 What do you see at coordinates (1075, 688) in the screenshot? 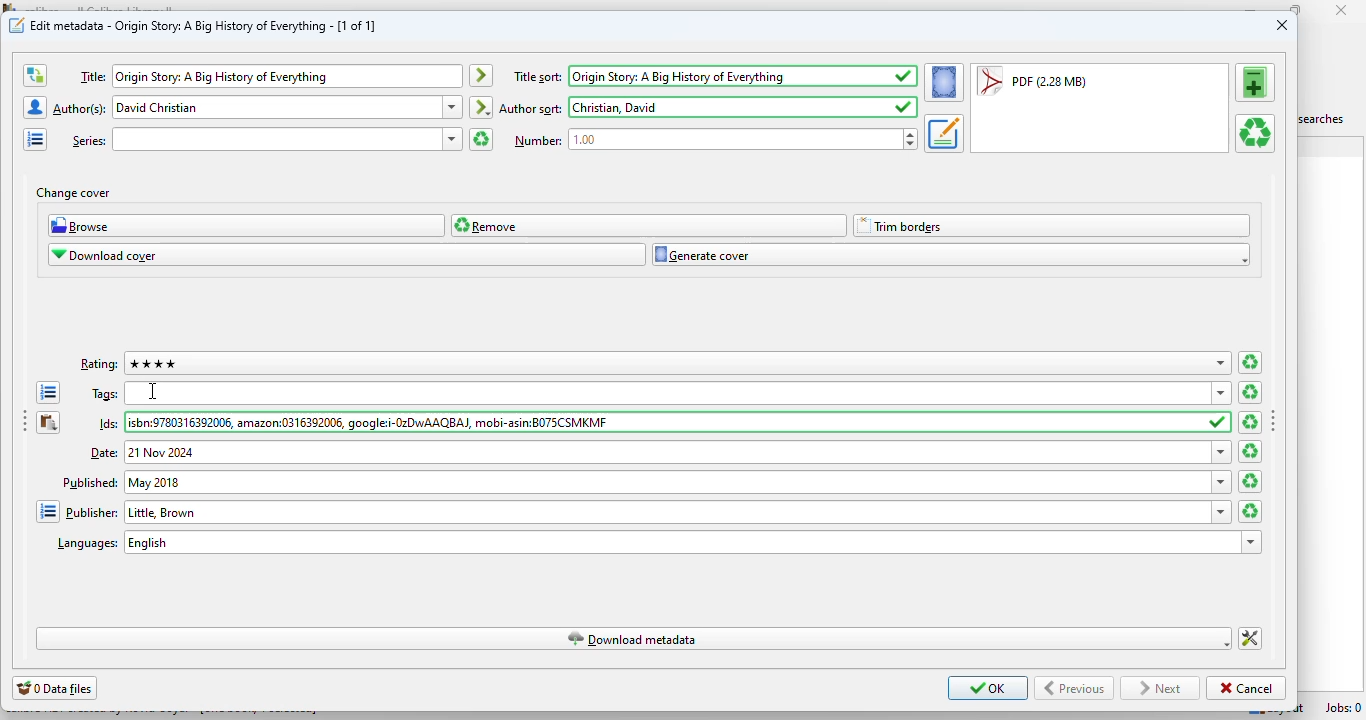
I see `Previous` at bounding box center [1075, 688].